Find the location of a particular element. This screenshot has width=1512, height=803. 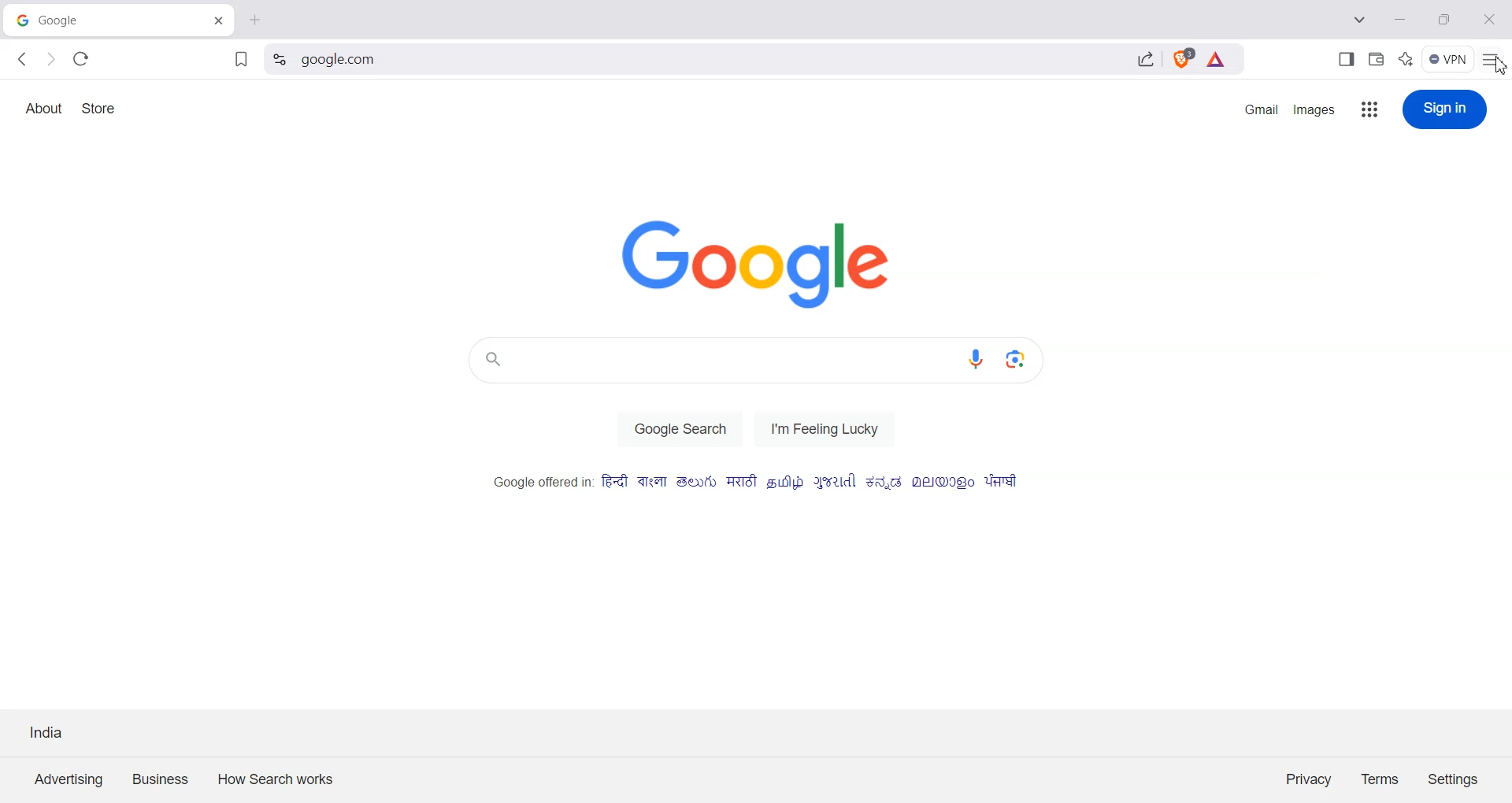

Multi Language is located at coordinates (757, 482).